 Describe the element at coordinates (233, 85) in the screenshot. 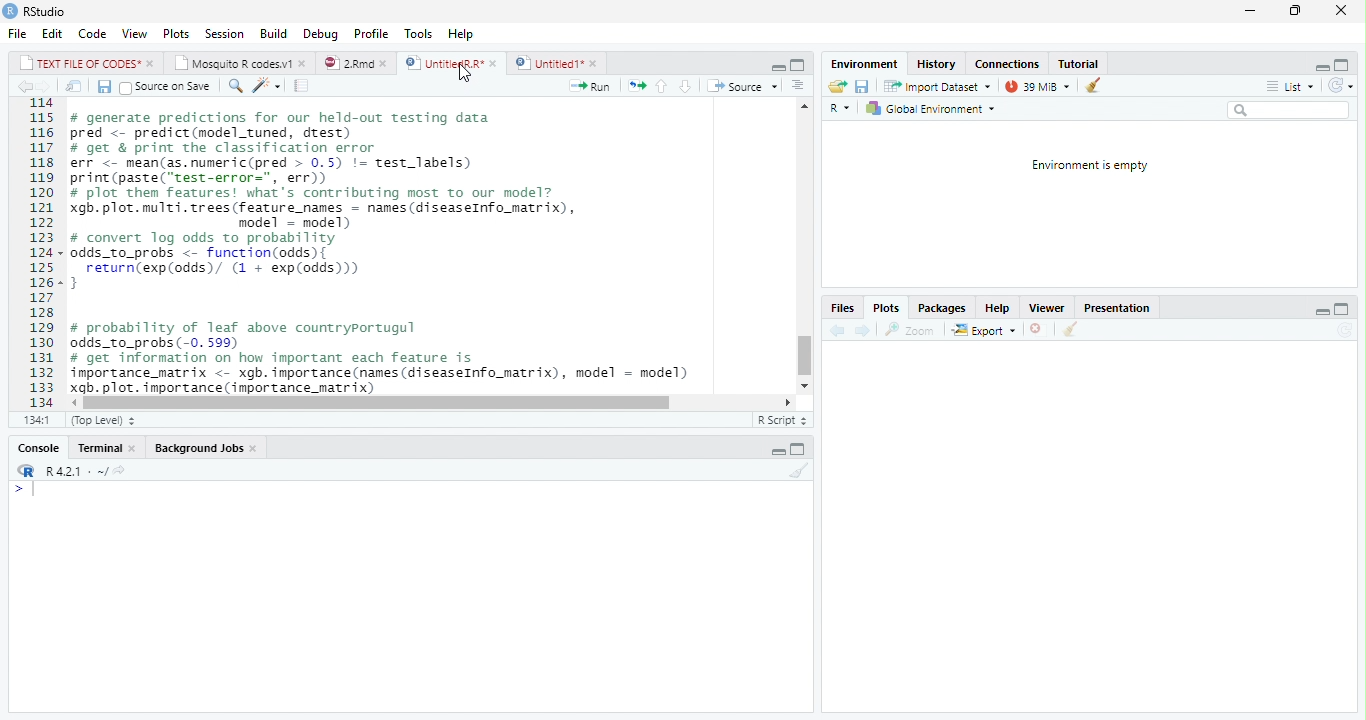

I see `Find/Replace` at that location.